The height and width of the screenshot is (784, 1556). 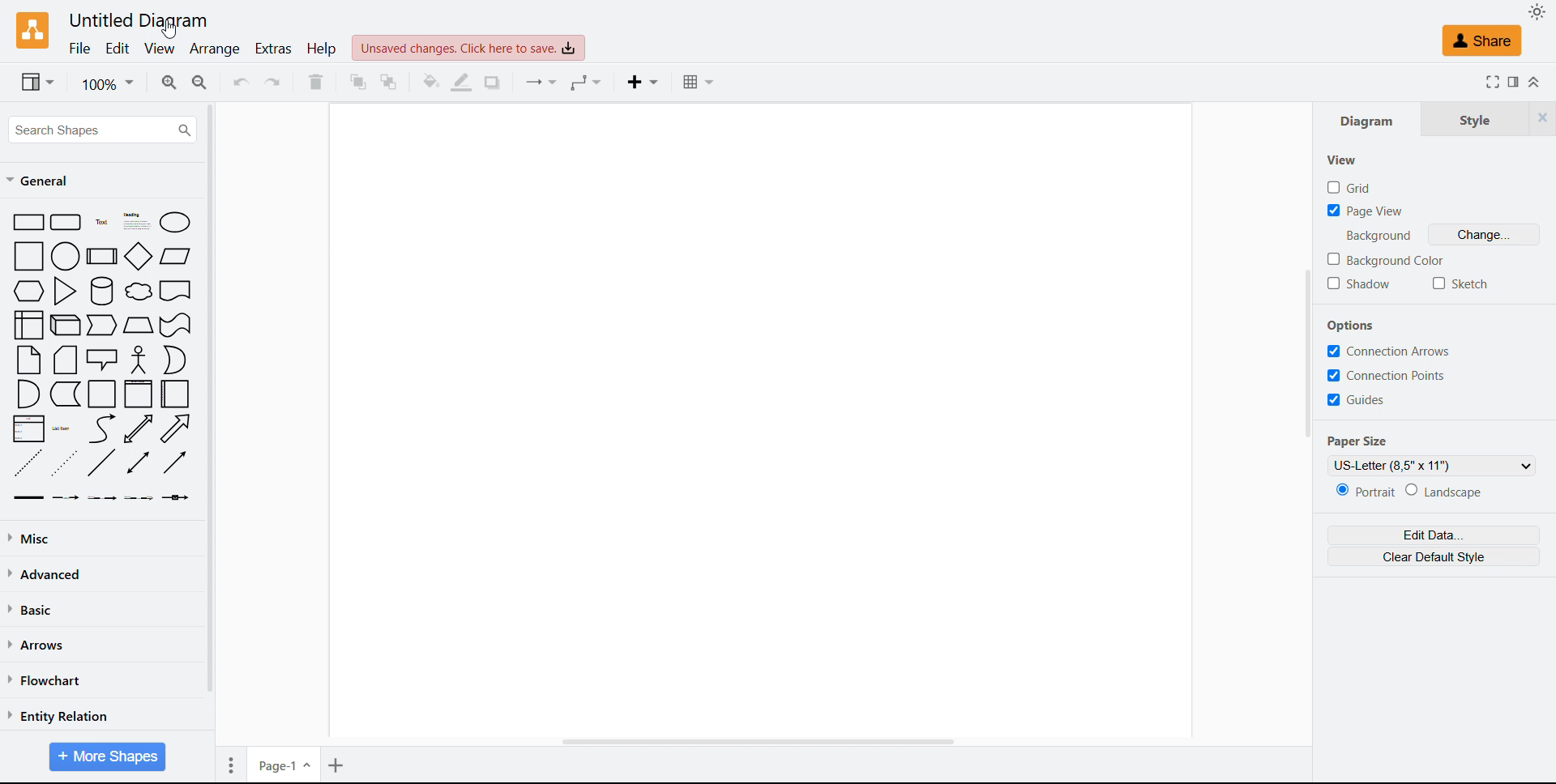 What do you see at coordinates (137, 20) in the screenshot?
I see `Untitled diagram ` at bounding box center [137, 20].